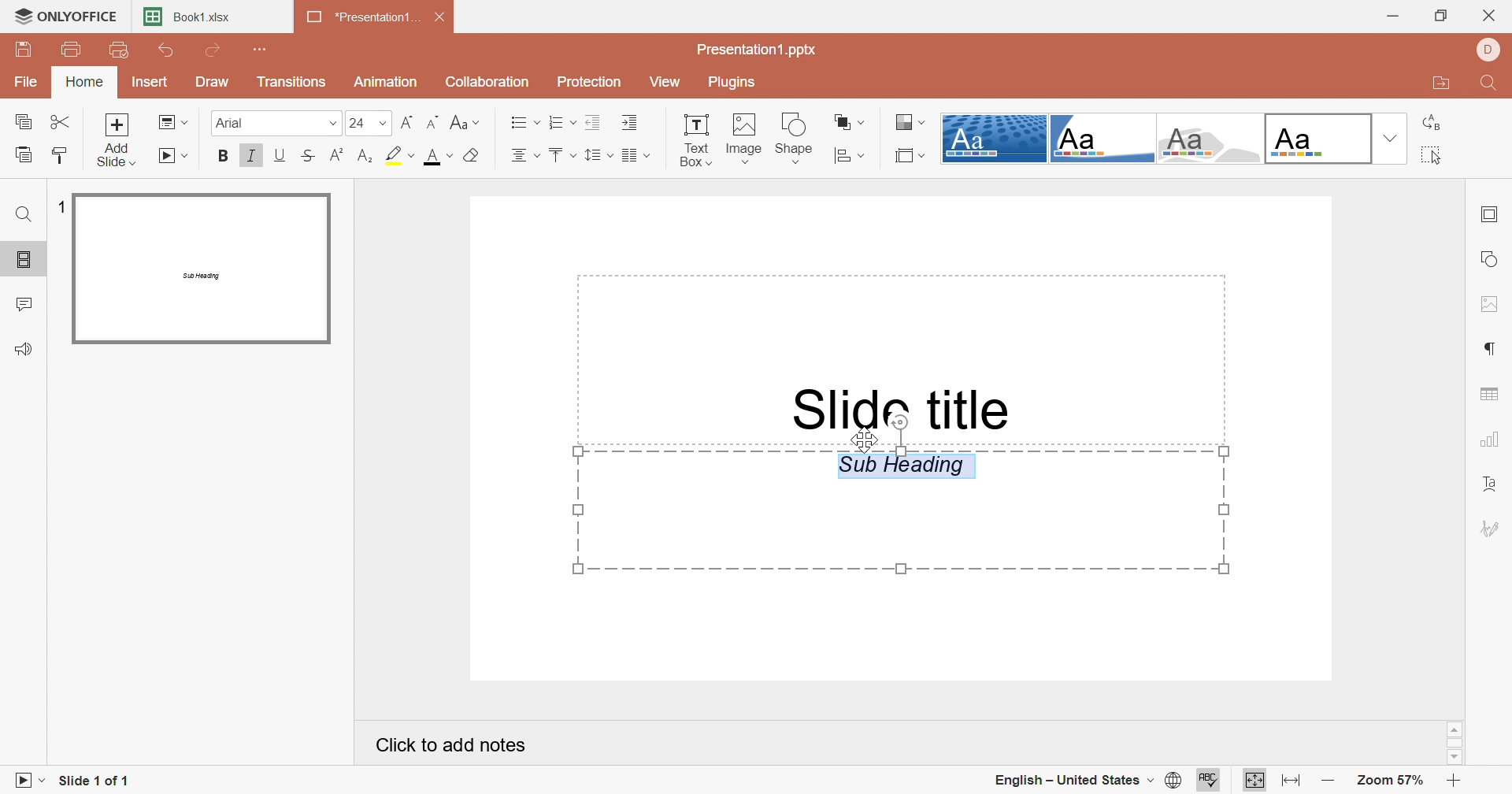  What do you see at coordinates (27, 348) in the screenshot?
I see `Feedback & Support` at bounding box center [27, 348].